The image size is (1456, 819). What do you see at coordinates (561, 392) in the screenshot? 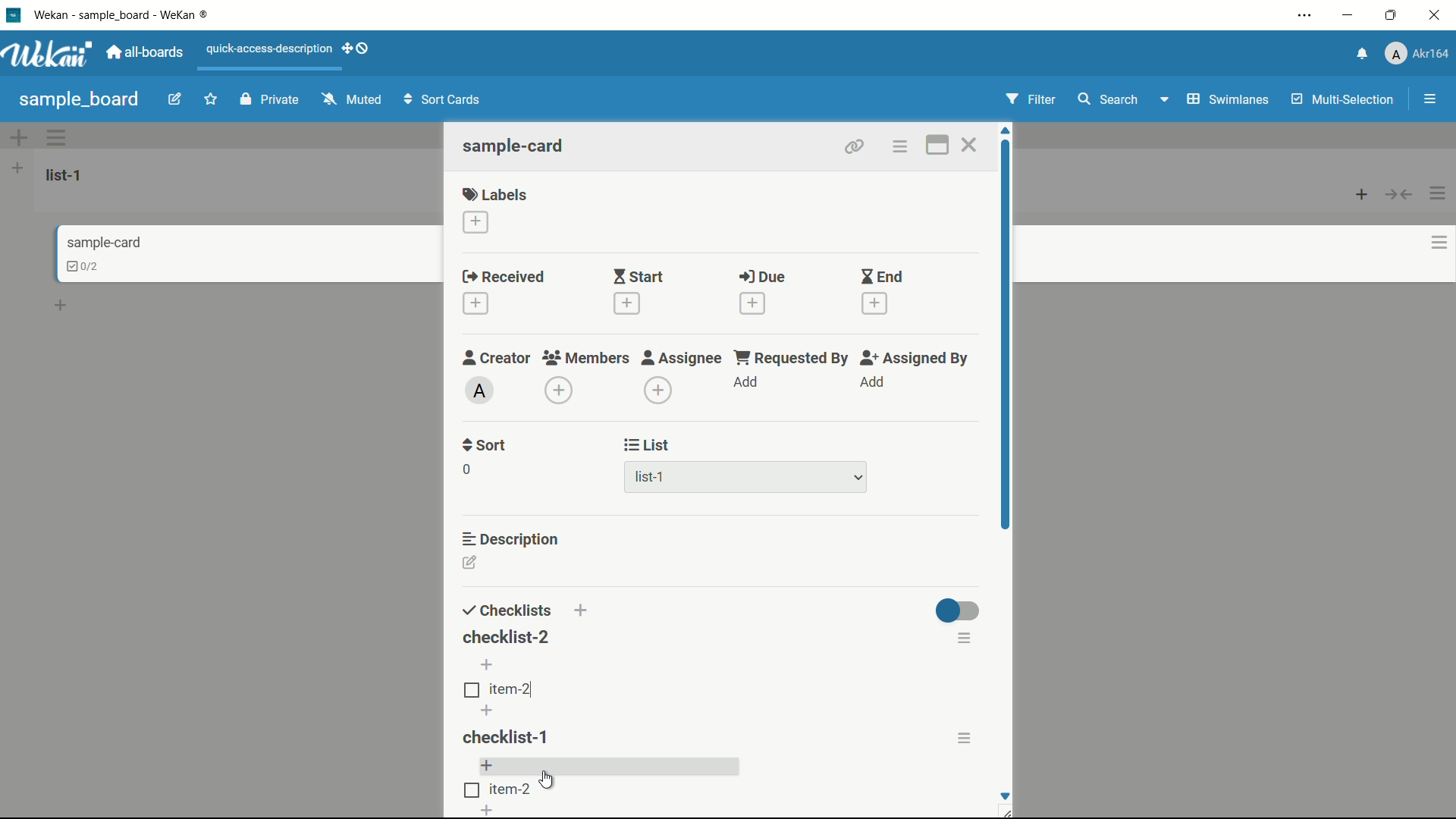
I see `add members` at bounding box center [561, 392].